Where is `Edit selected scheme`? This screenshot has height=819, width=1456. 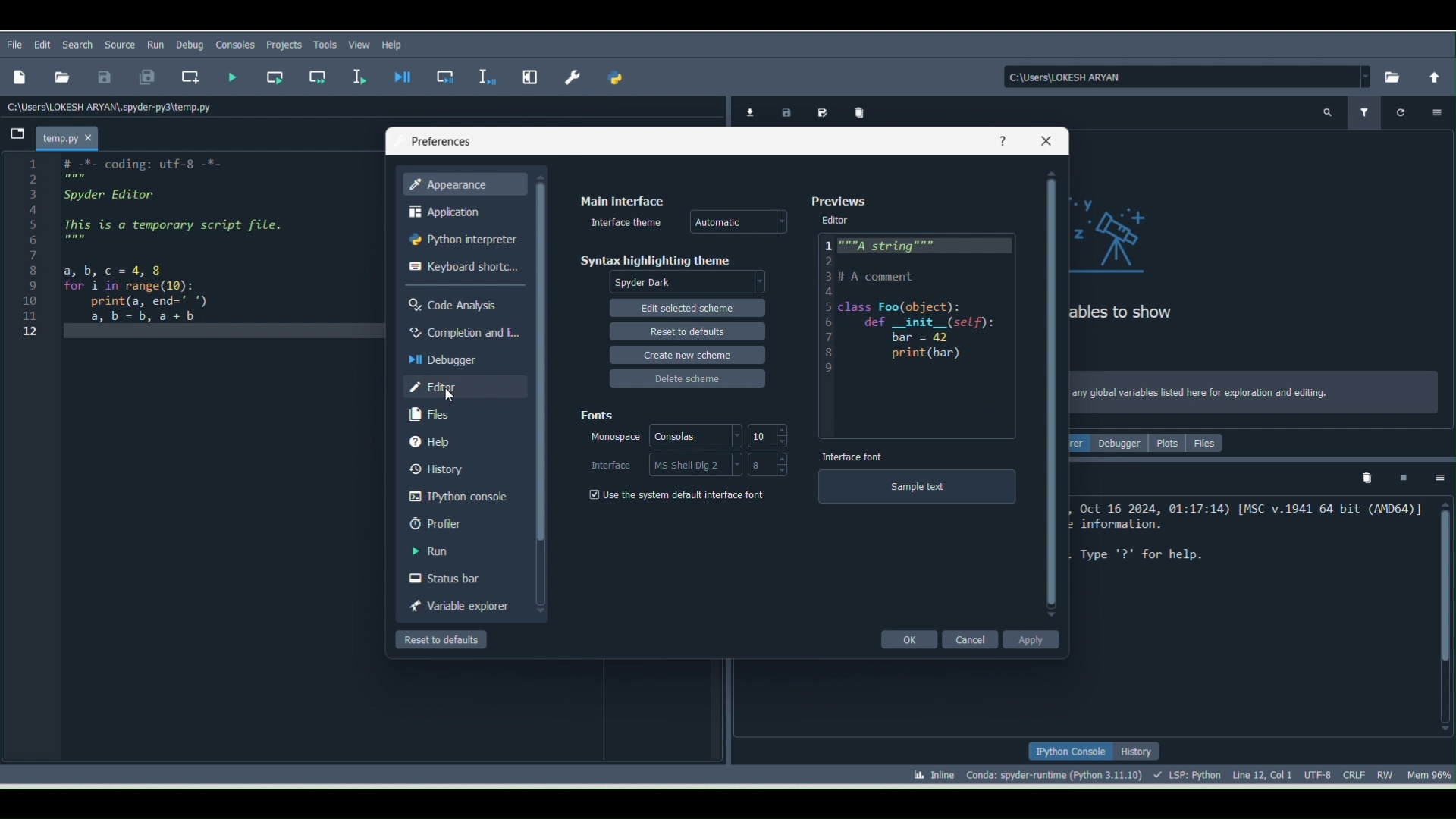 Edit selected scheme is located at coordinates (692, 308).